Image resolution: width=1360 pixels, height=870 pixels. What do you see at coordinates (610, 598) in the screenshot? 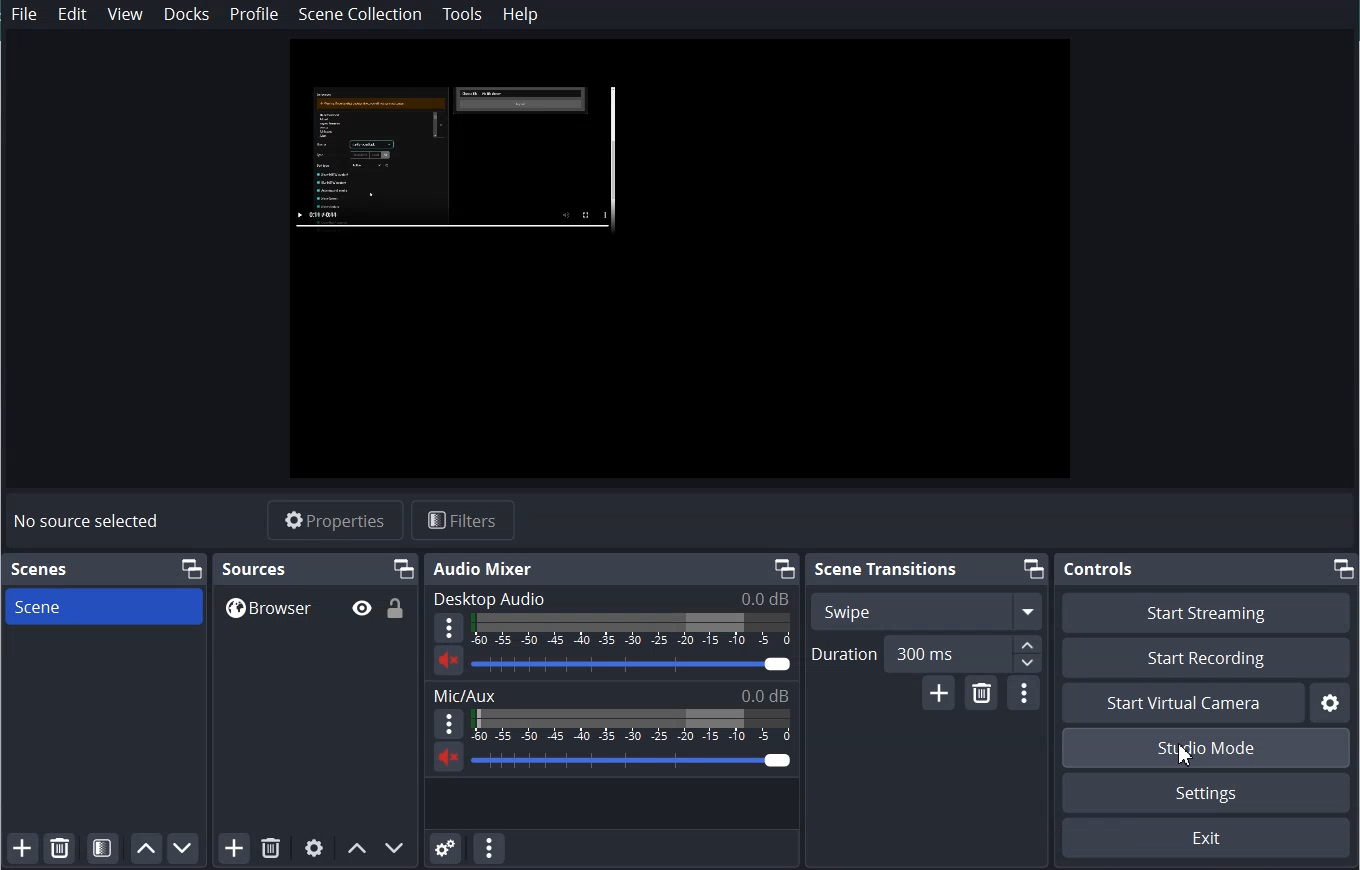
I see `Desktop audio` at bounding box center [610, 598].